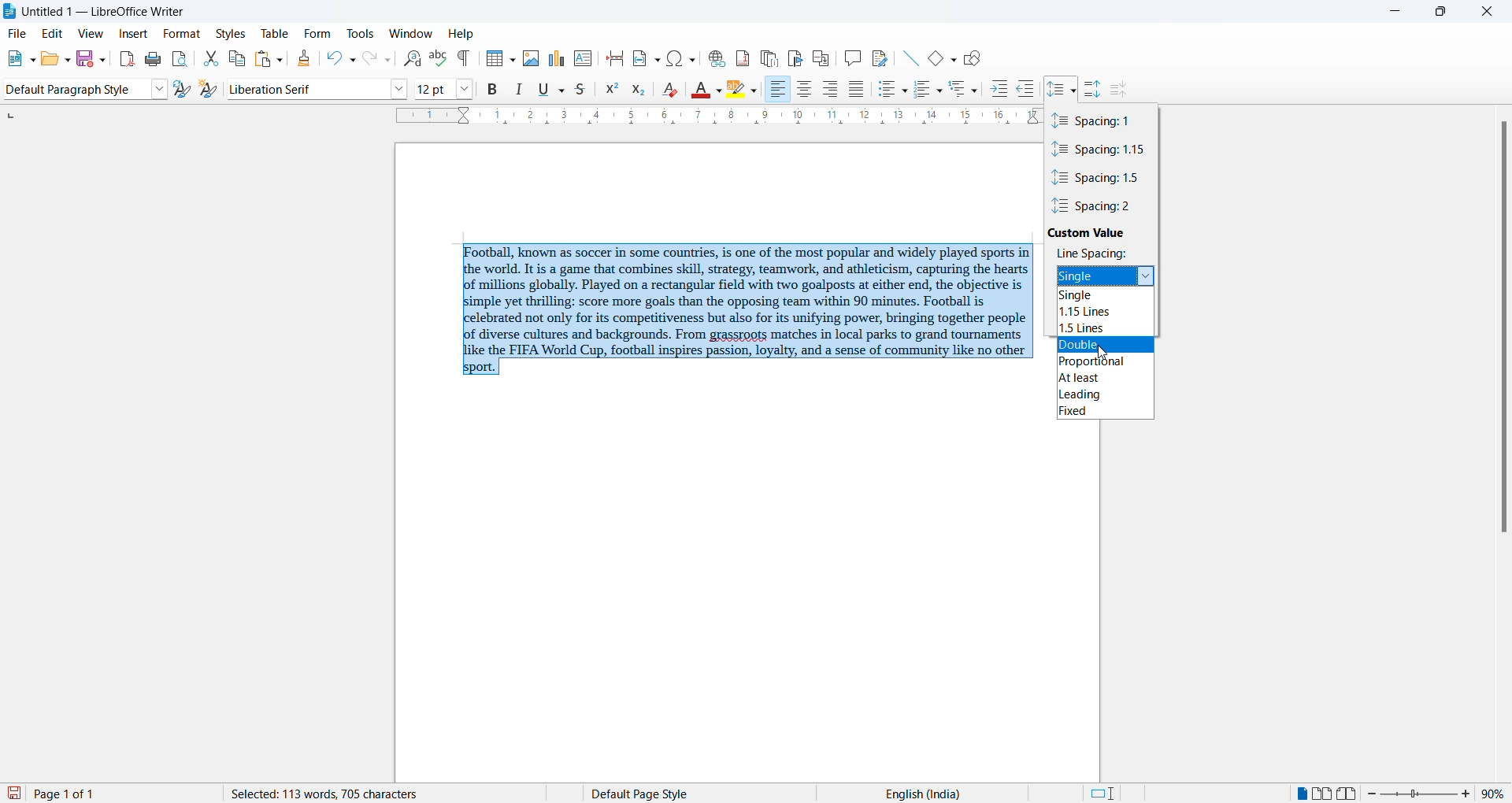 The width and height of the screenshot is (1512, 803). Describe the element at coordinates (701, 89) in the screenshot. I see `font color` at that location.